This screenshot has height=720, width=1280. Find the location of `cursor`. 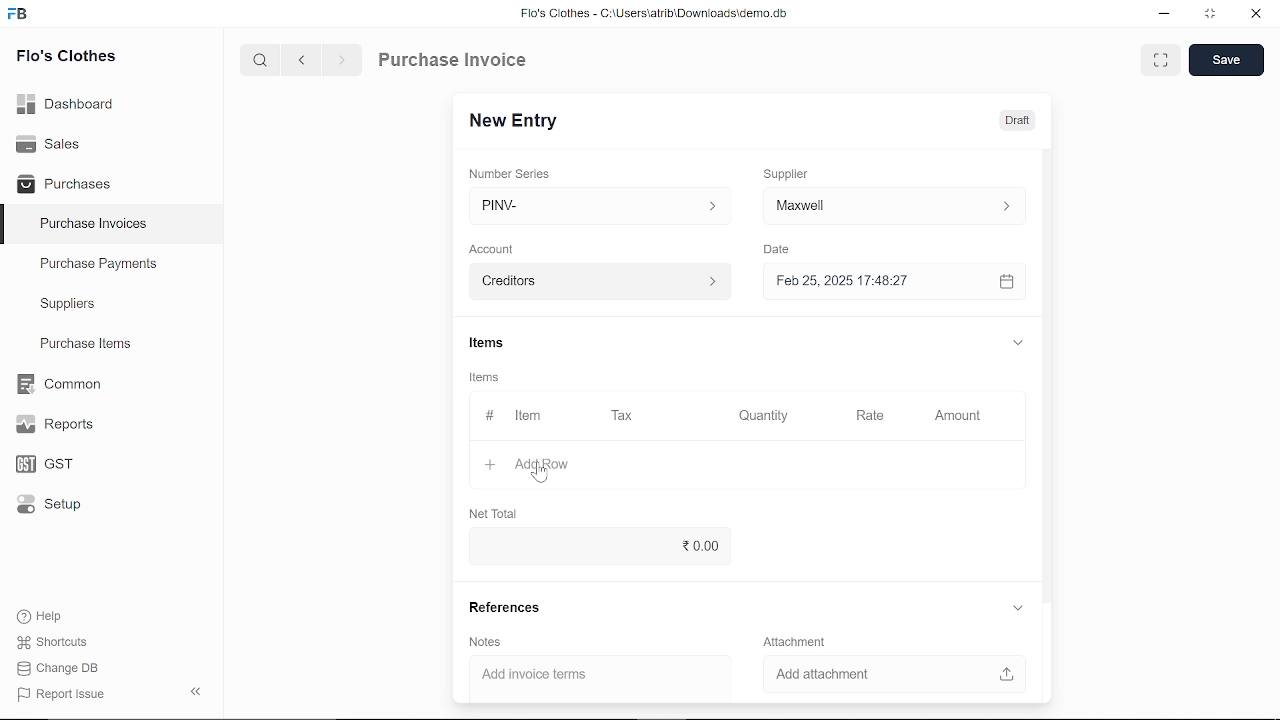

cursor is located at coordinates (537, 475).